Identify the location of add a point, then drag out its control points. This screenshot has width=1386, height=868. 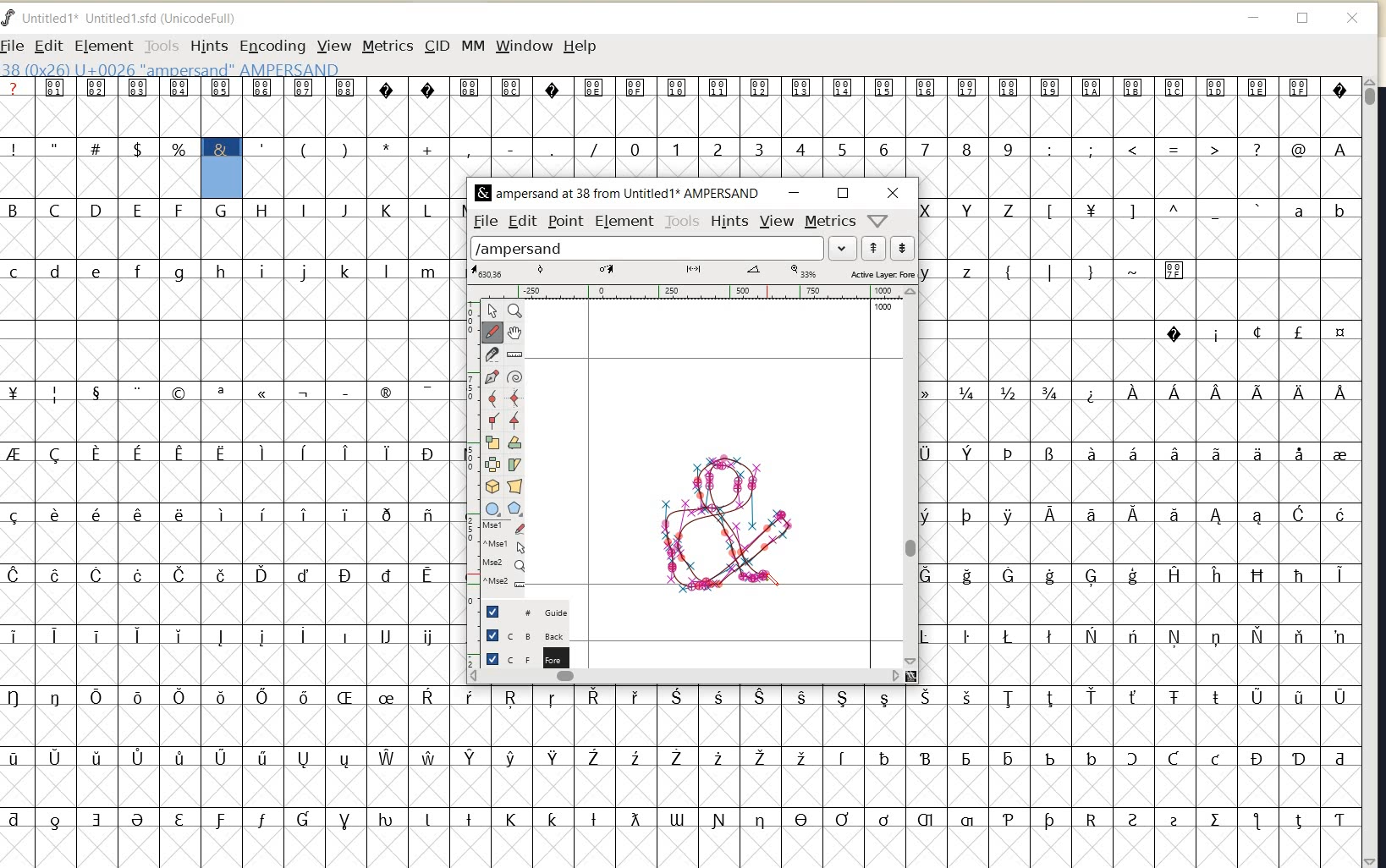
(491, 376).